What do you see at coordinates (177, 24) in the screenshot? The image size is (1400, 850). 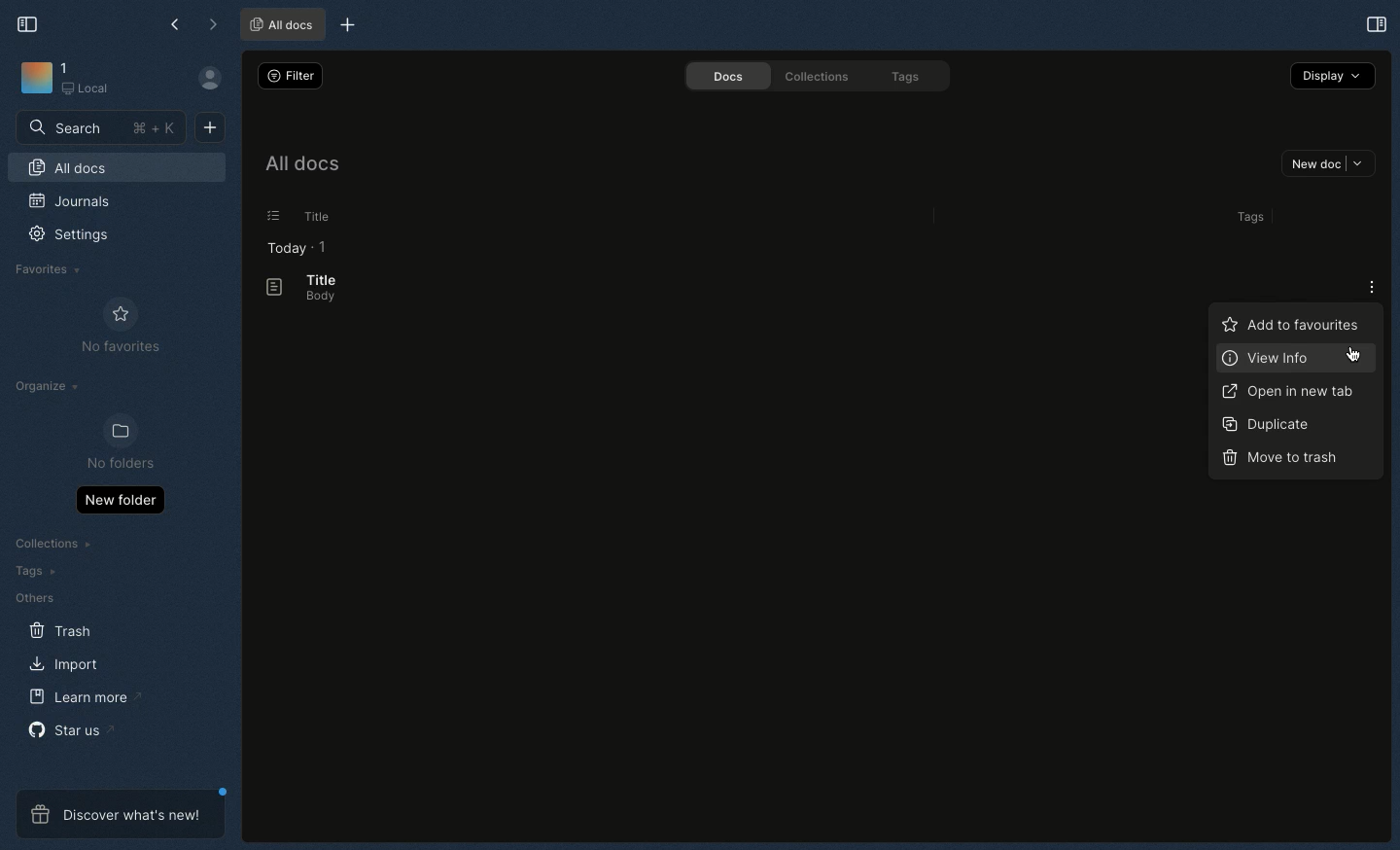 I see `Back` at bounding box center [177, 24].